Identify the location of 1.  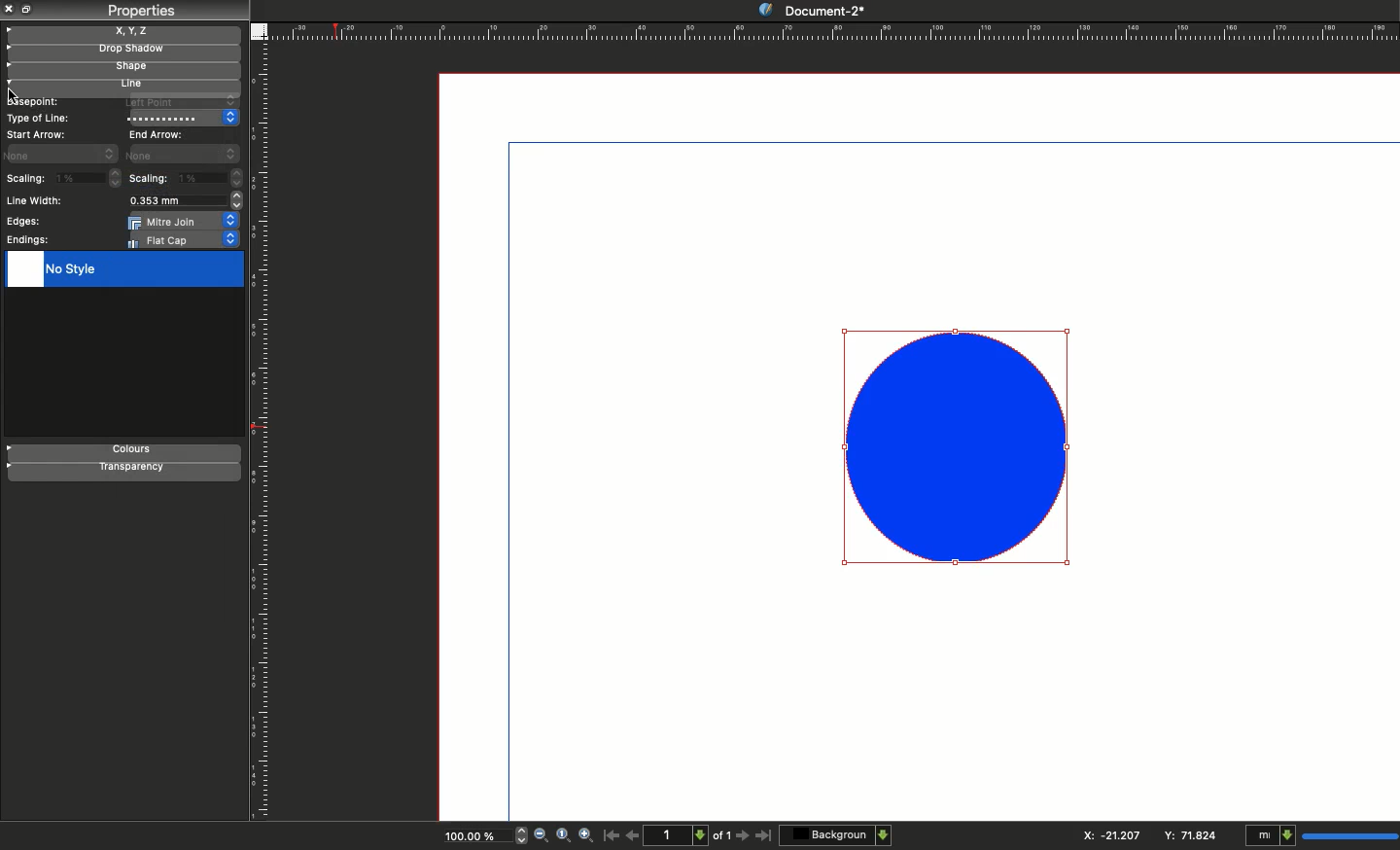
(679, 834).